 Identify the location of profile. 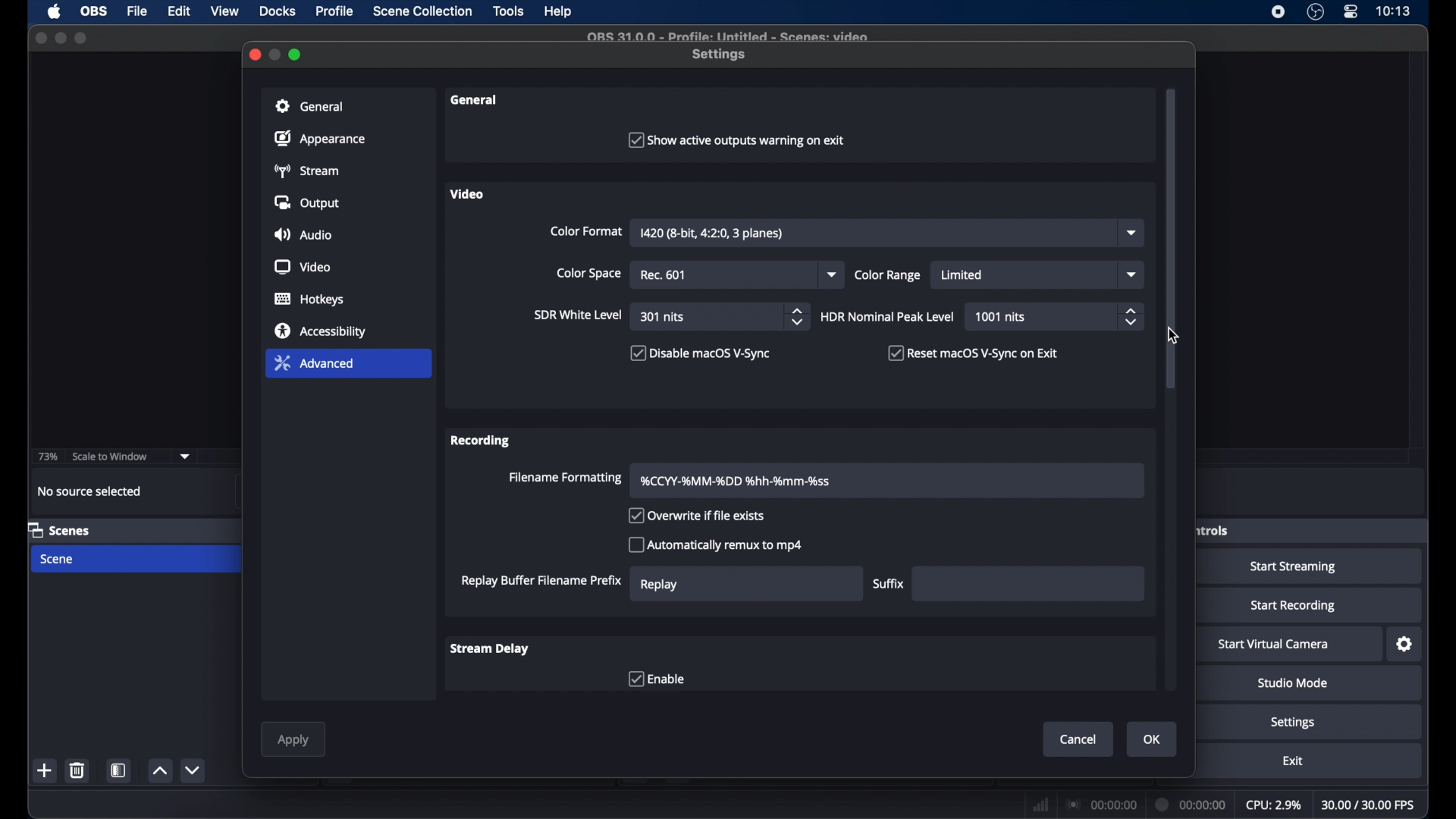
(336, 11).